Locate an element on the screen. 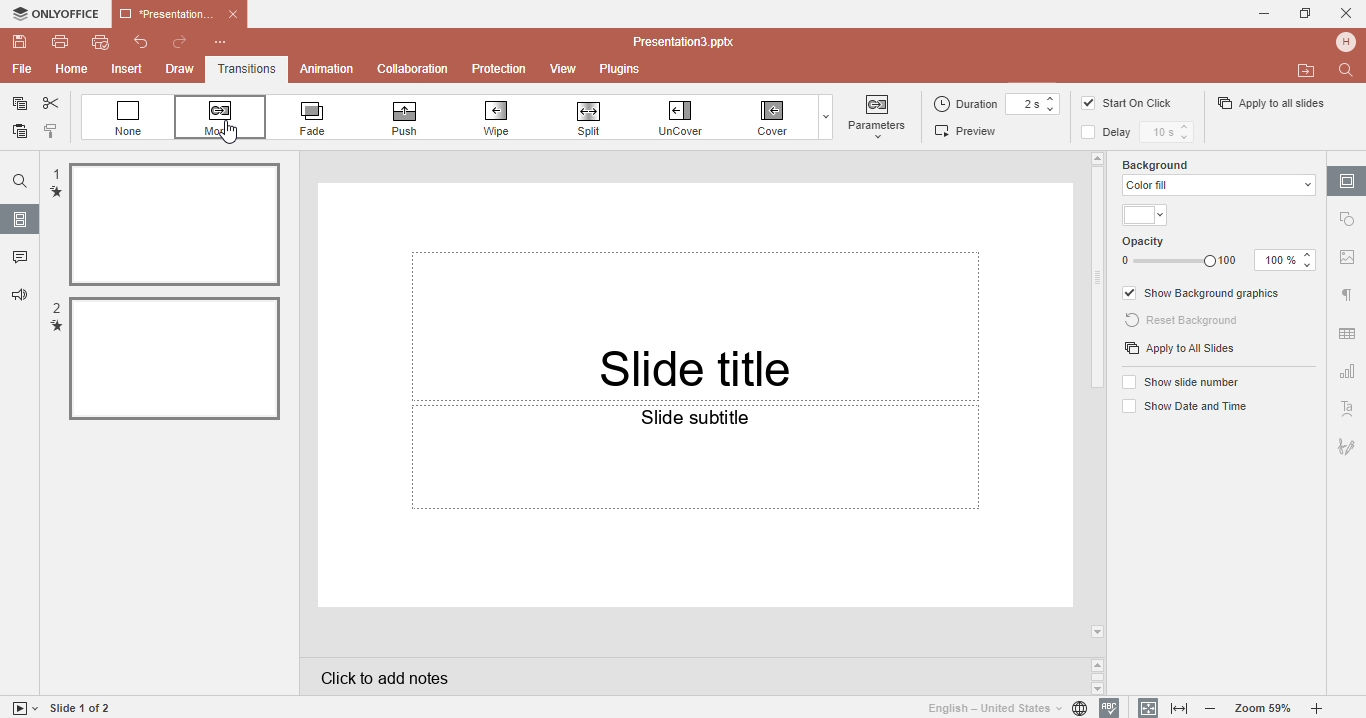 The image size is (1366, 718). Paste is located at coordinates (17, 135).